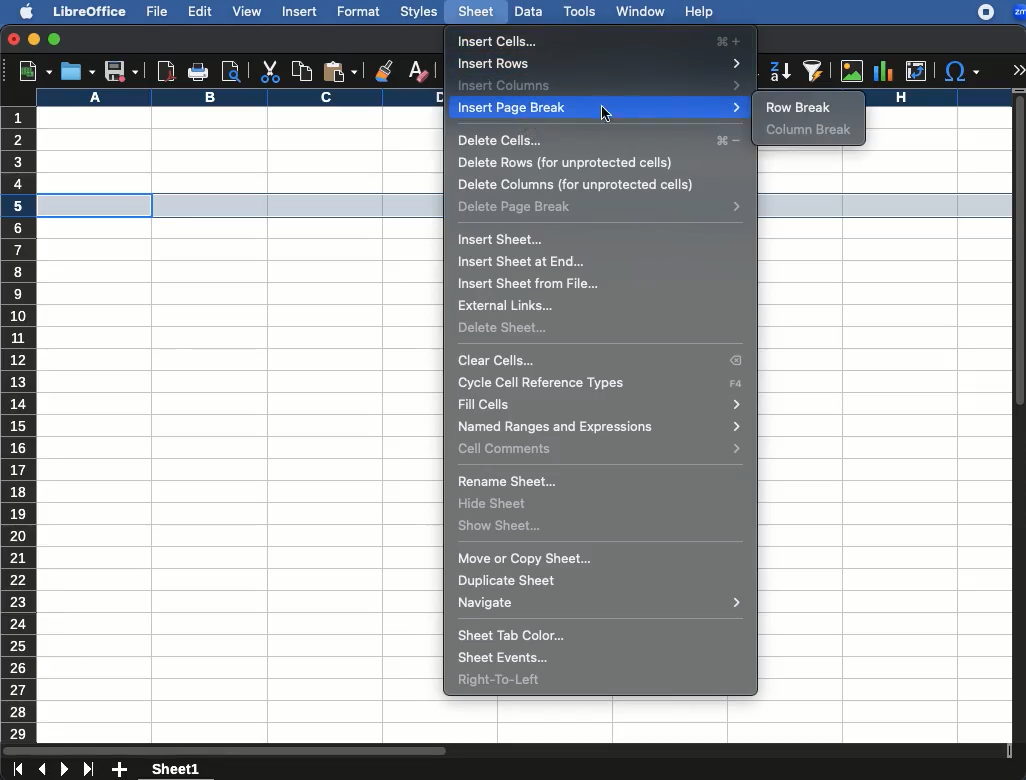 The width and height of the screenshot is (1026, 780). I want to click on sheet, so click(474, 11).